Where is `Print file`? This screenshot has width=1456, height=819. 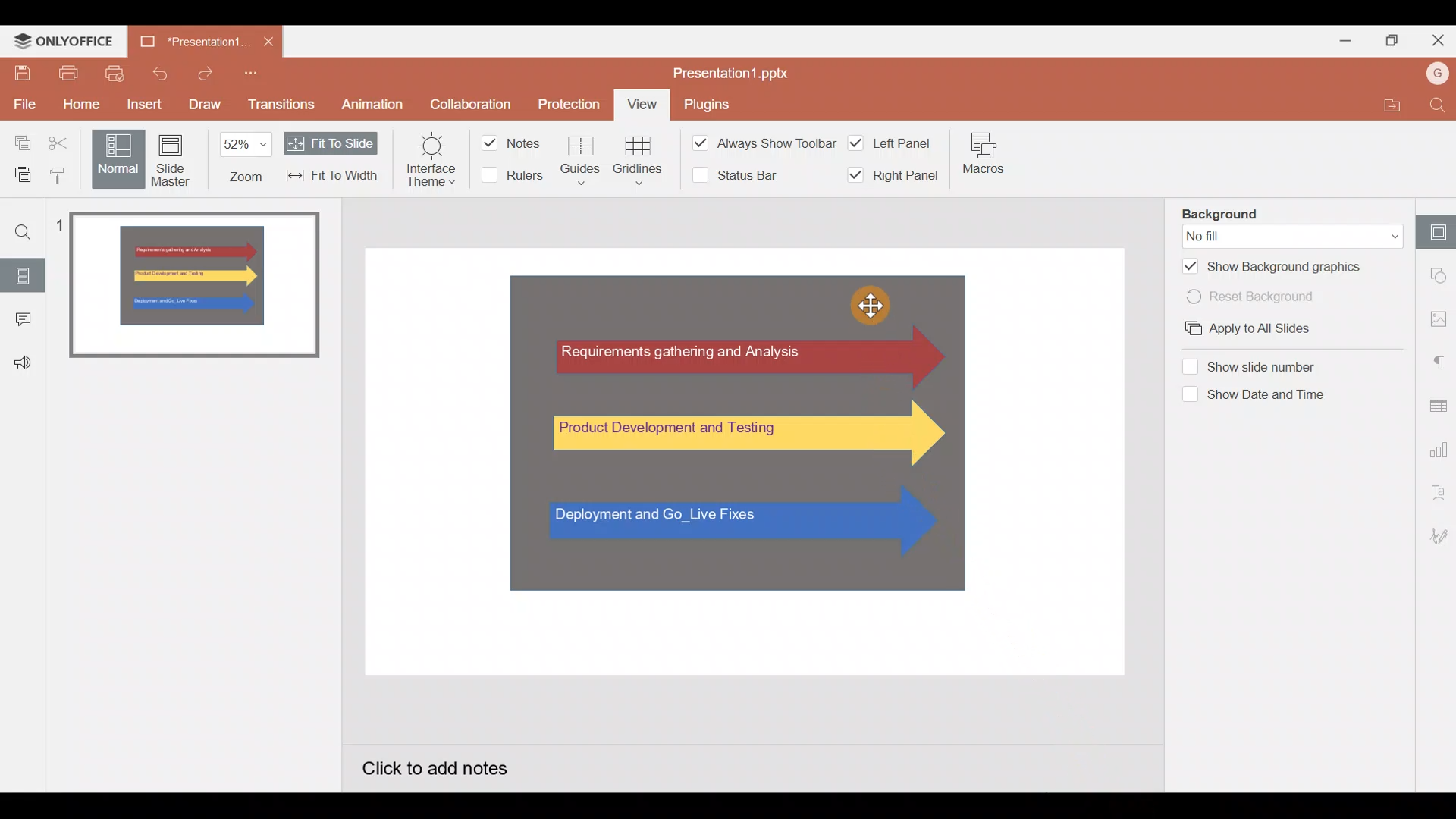 Print file is located at coordinates (64, 74).